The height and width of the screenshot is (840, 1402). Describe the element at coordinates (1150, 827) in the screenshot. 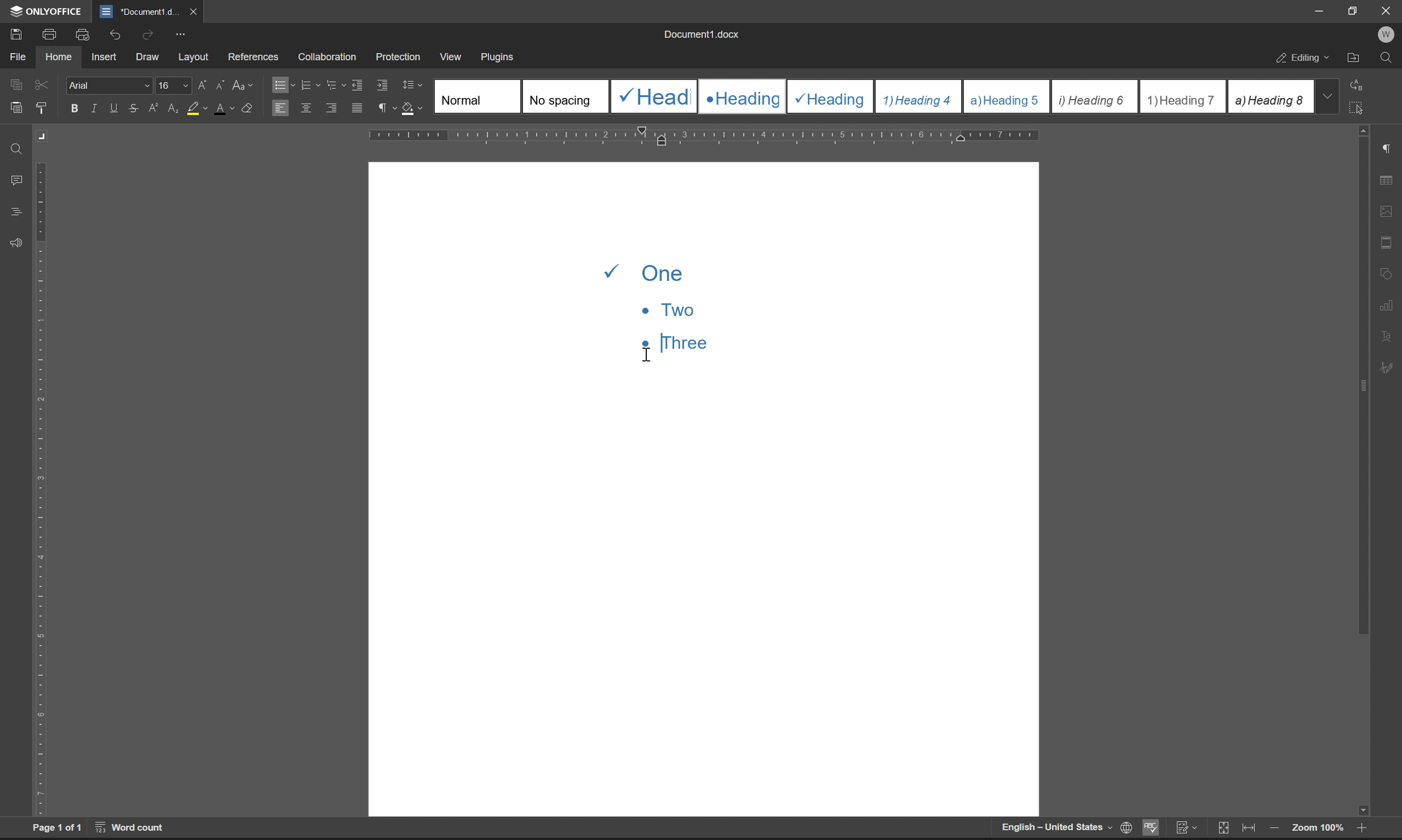

I see `spell checking` at that location.